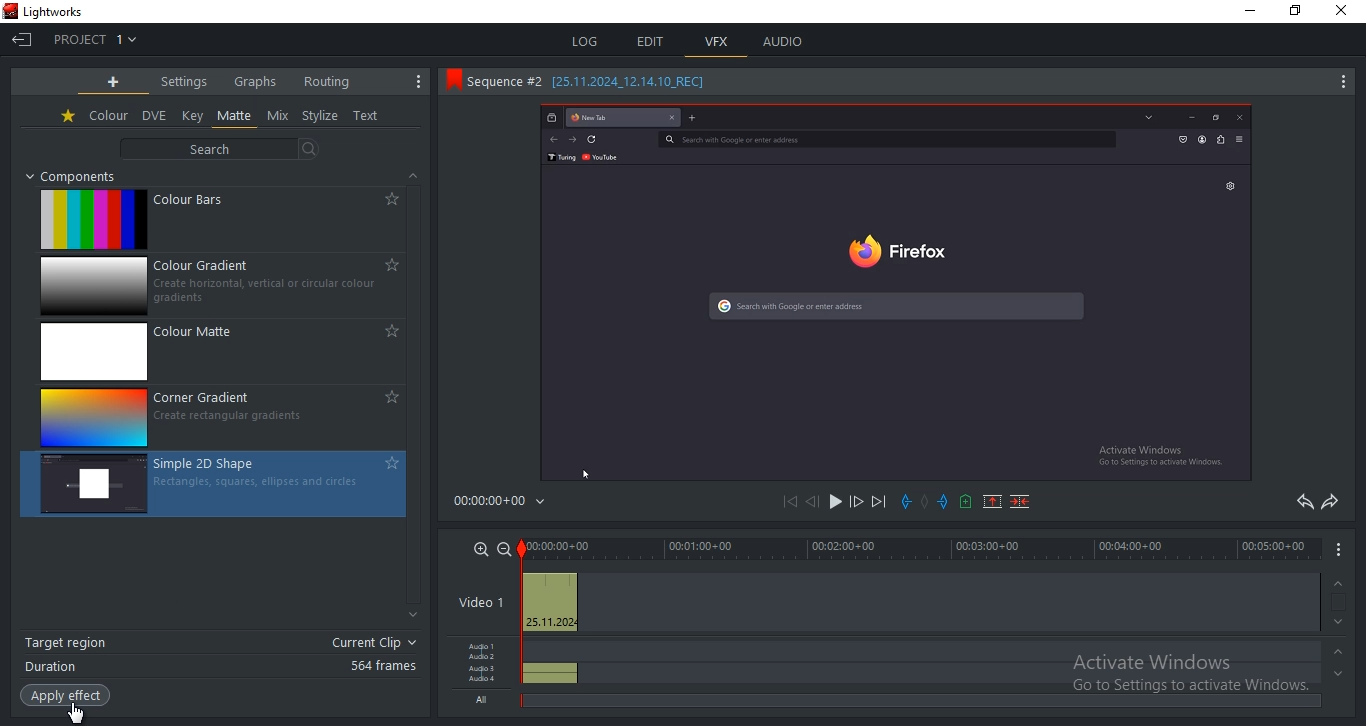 This screenshot has width=1366, height=726. What do you see at coordinates (109, 116) in the screenshot?
I see `colour` at bounding box center [109, 116].